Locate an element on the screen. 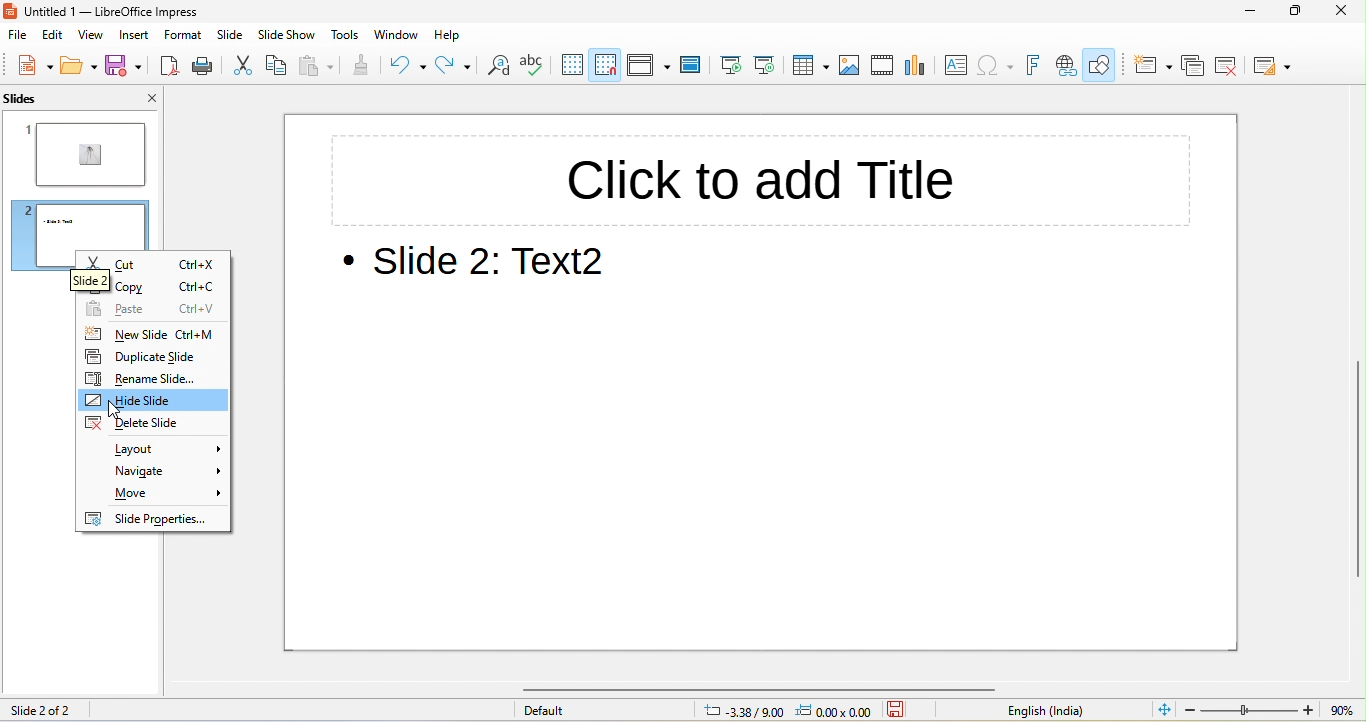  click to add title is located at coordinates (760, 179).